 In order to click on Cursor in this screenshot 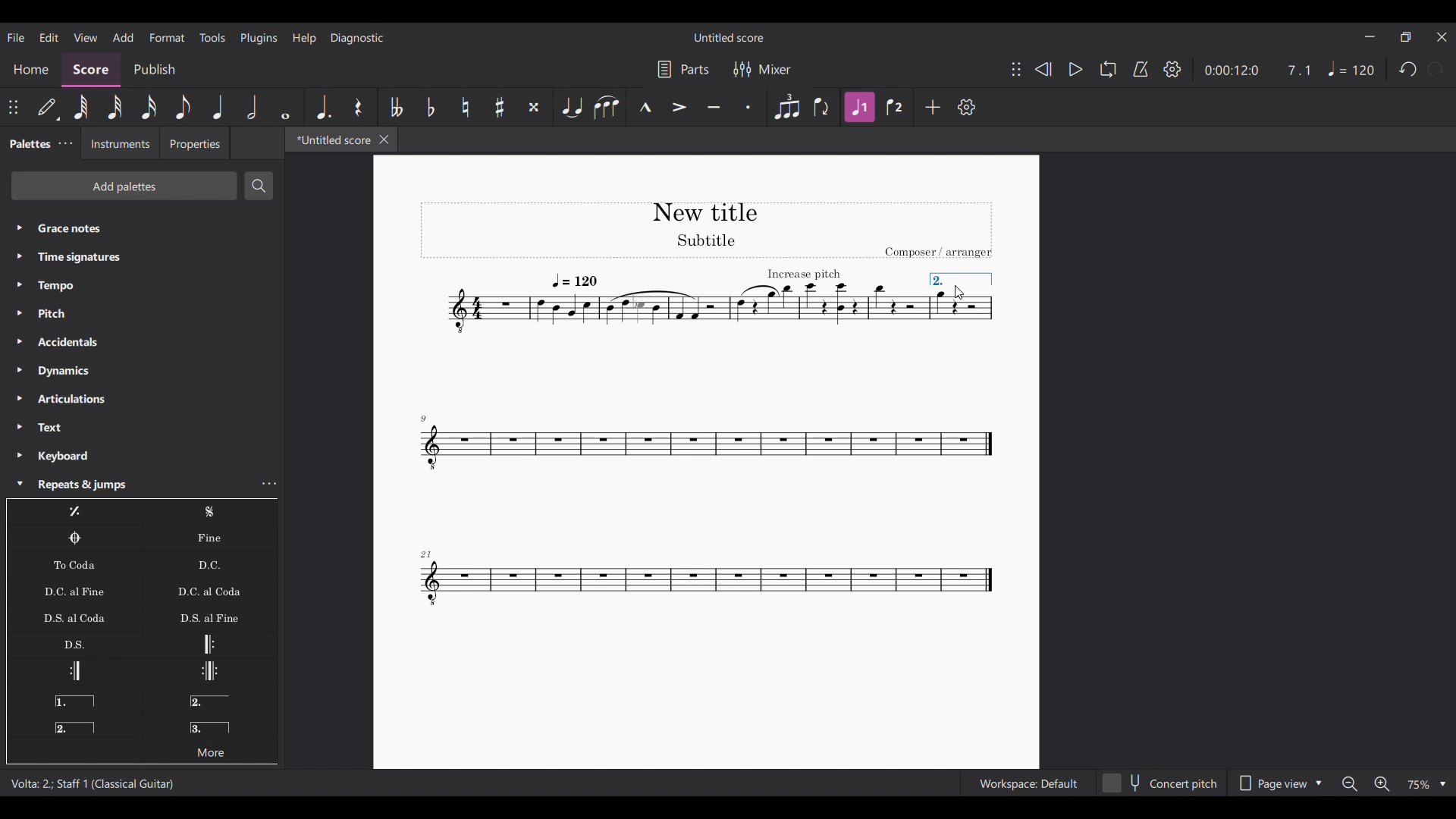, I will do `click(959, 292)`.